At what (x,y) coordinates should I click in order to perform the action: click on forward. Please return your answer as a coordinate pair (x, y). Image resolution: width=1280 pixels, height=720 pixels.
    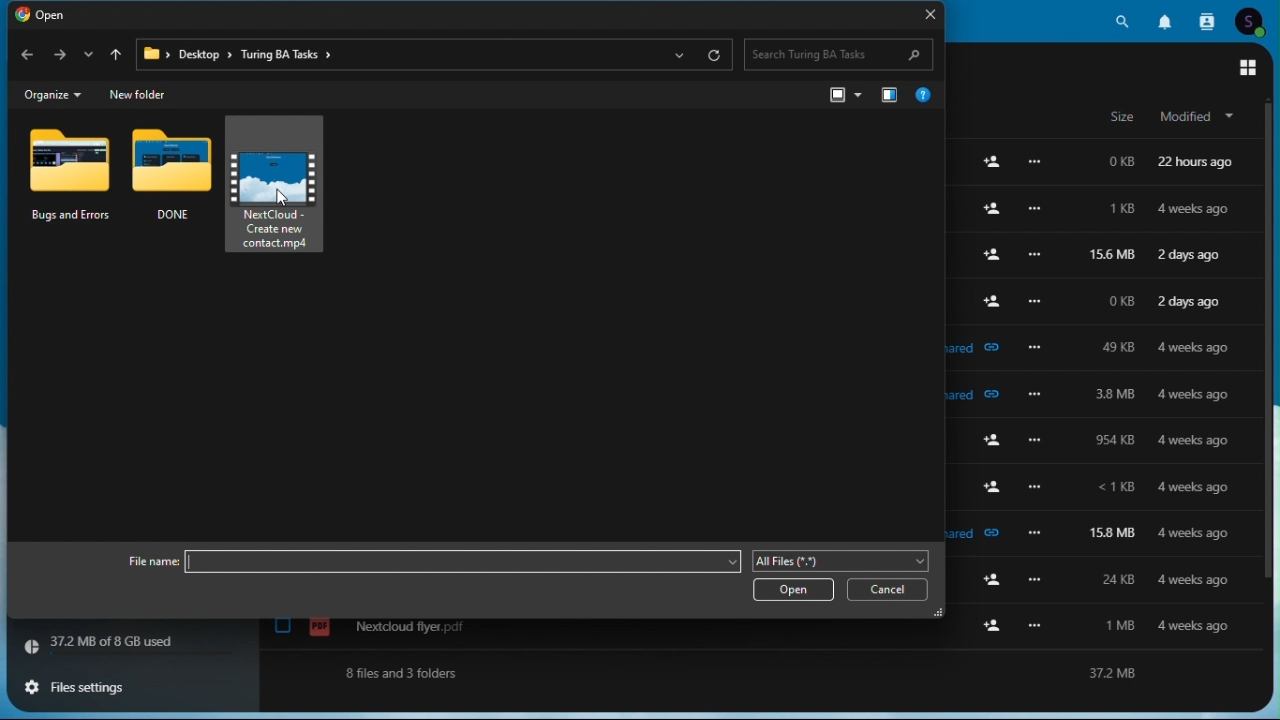
    Looking at the image, I should click on (62, 56).